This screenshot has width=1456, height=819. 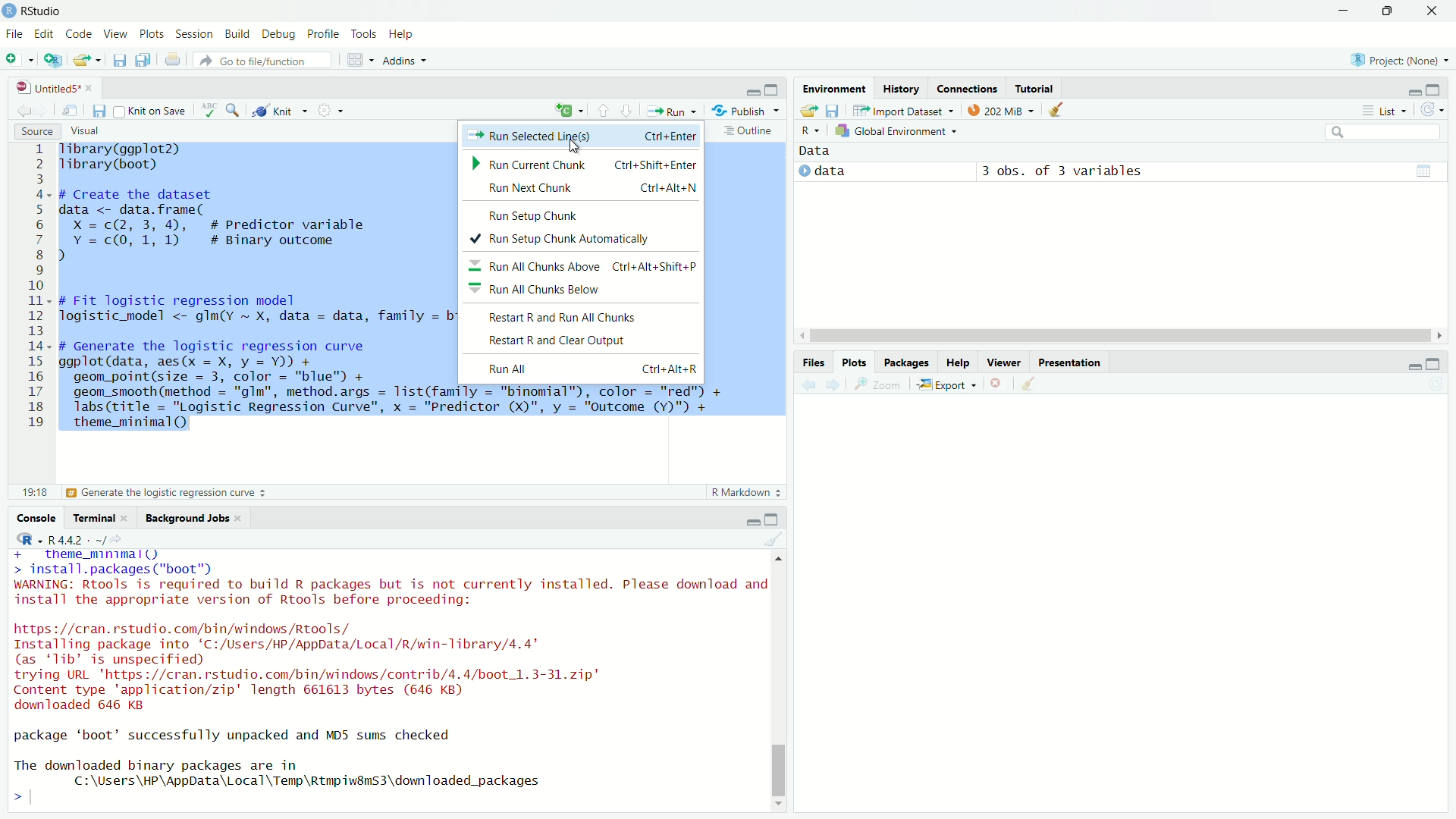 I want to click on Search bar, so click(x=1384, y=133).